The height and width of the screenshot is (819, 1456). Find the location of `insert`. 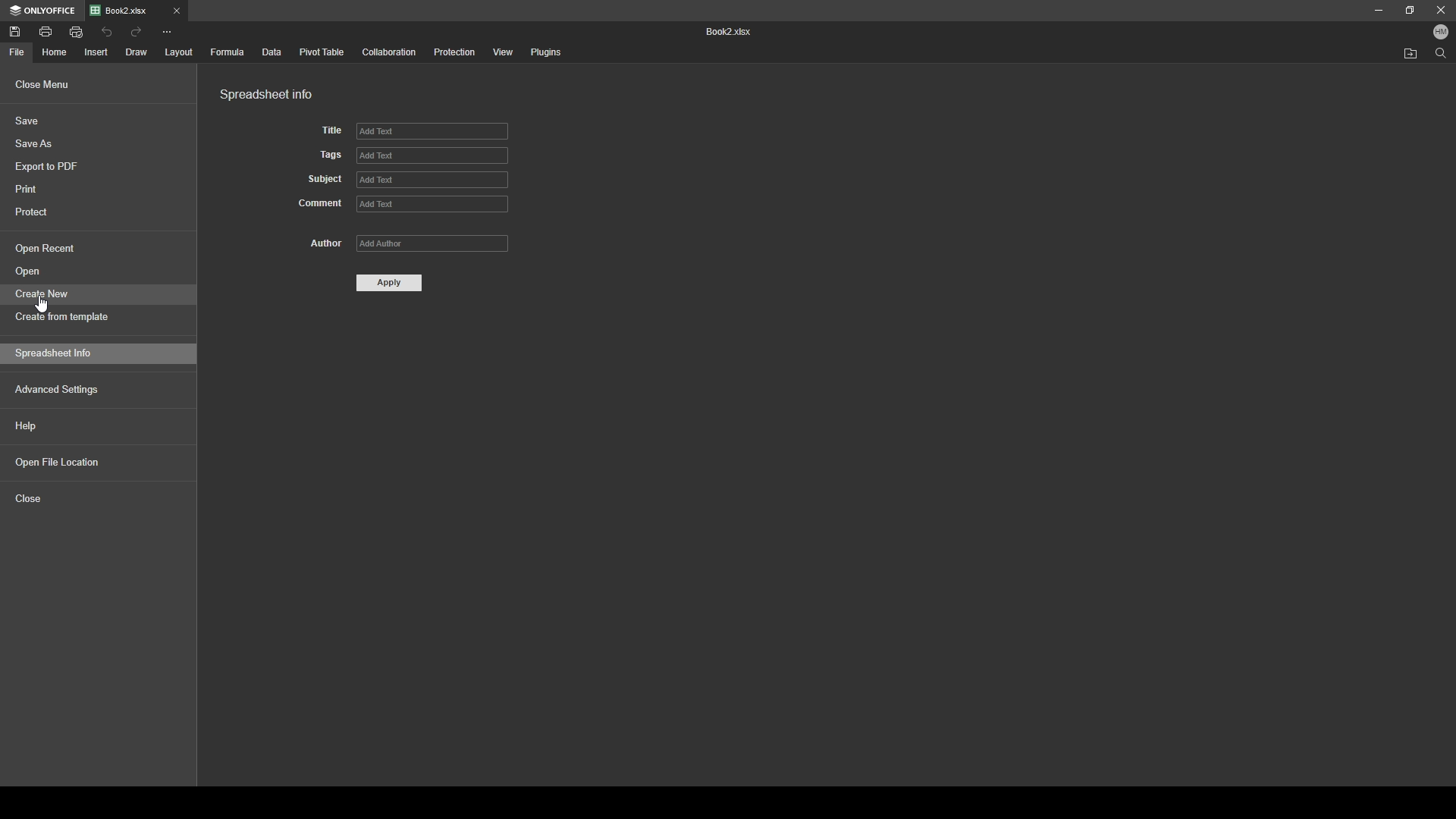

insert is located at coordinates (96, 52).